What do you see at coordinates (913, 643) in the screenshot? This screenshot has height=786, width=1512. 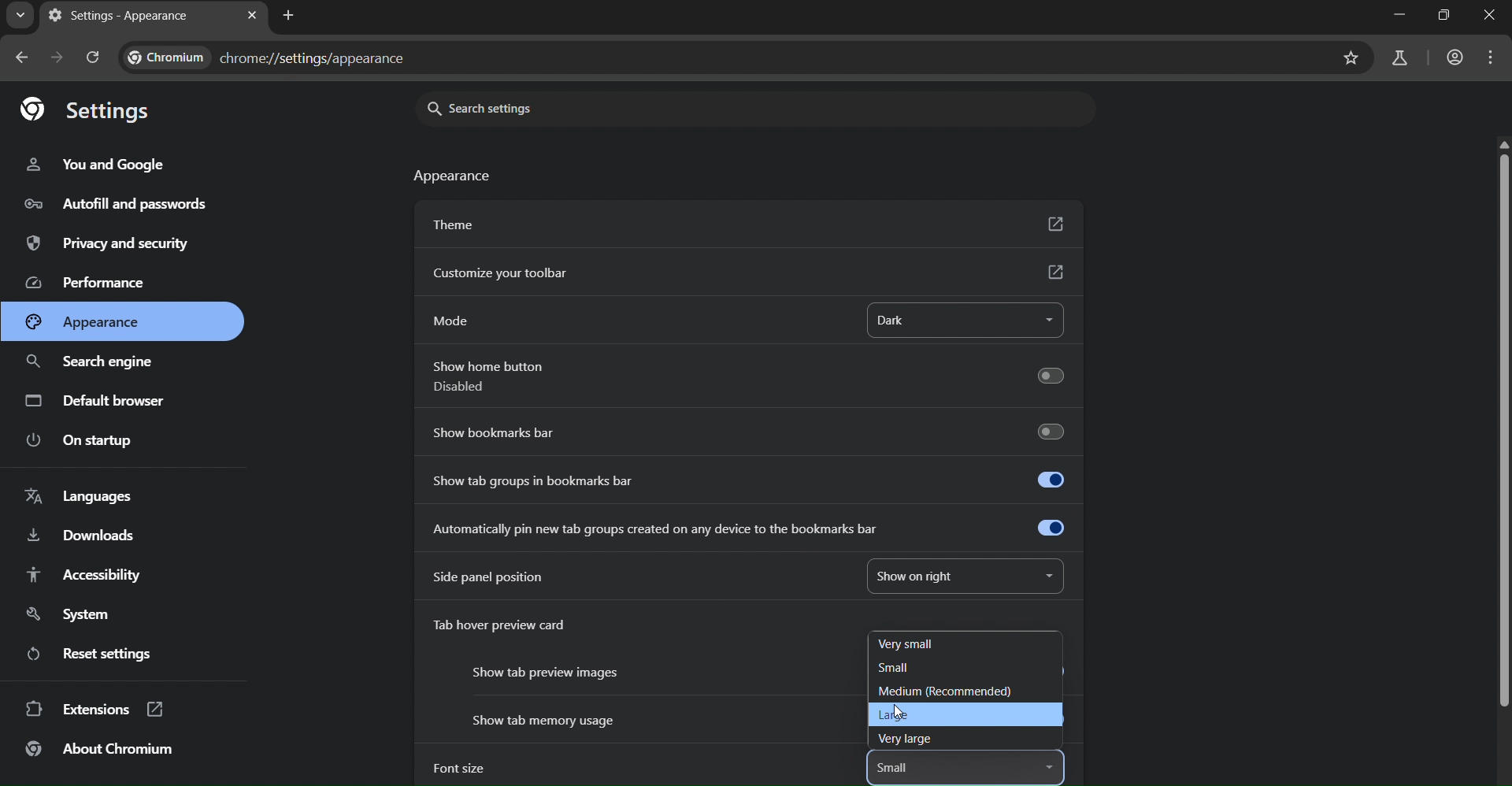 I see `very samll` at bounding box center [913, 643].